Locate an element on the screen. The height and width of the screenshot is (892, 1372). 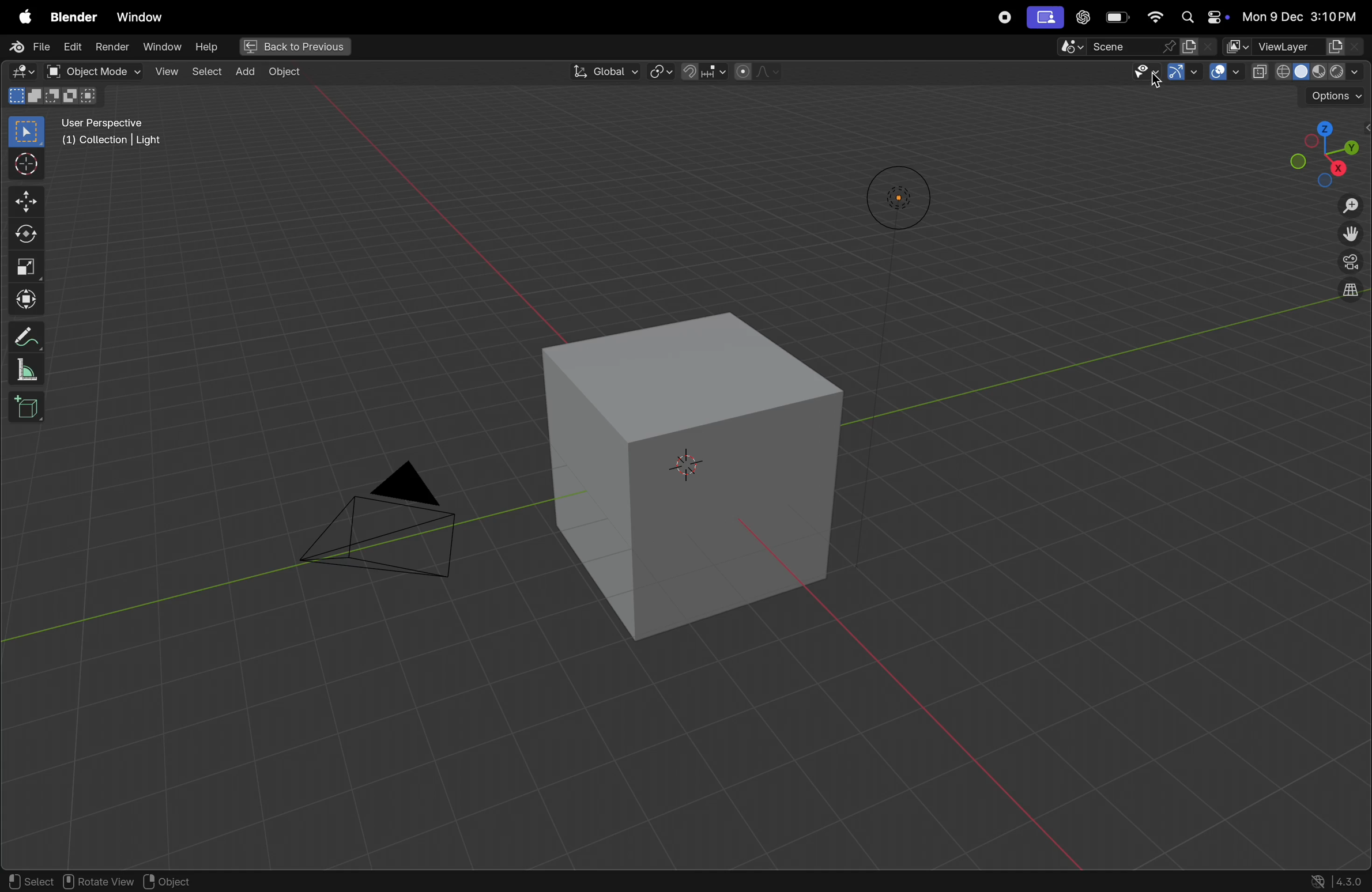
falloff is located at coordinates (761, 72).